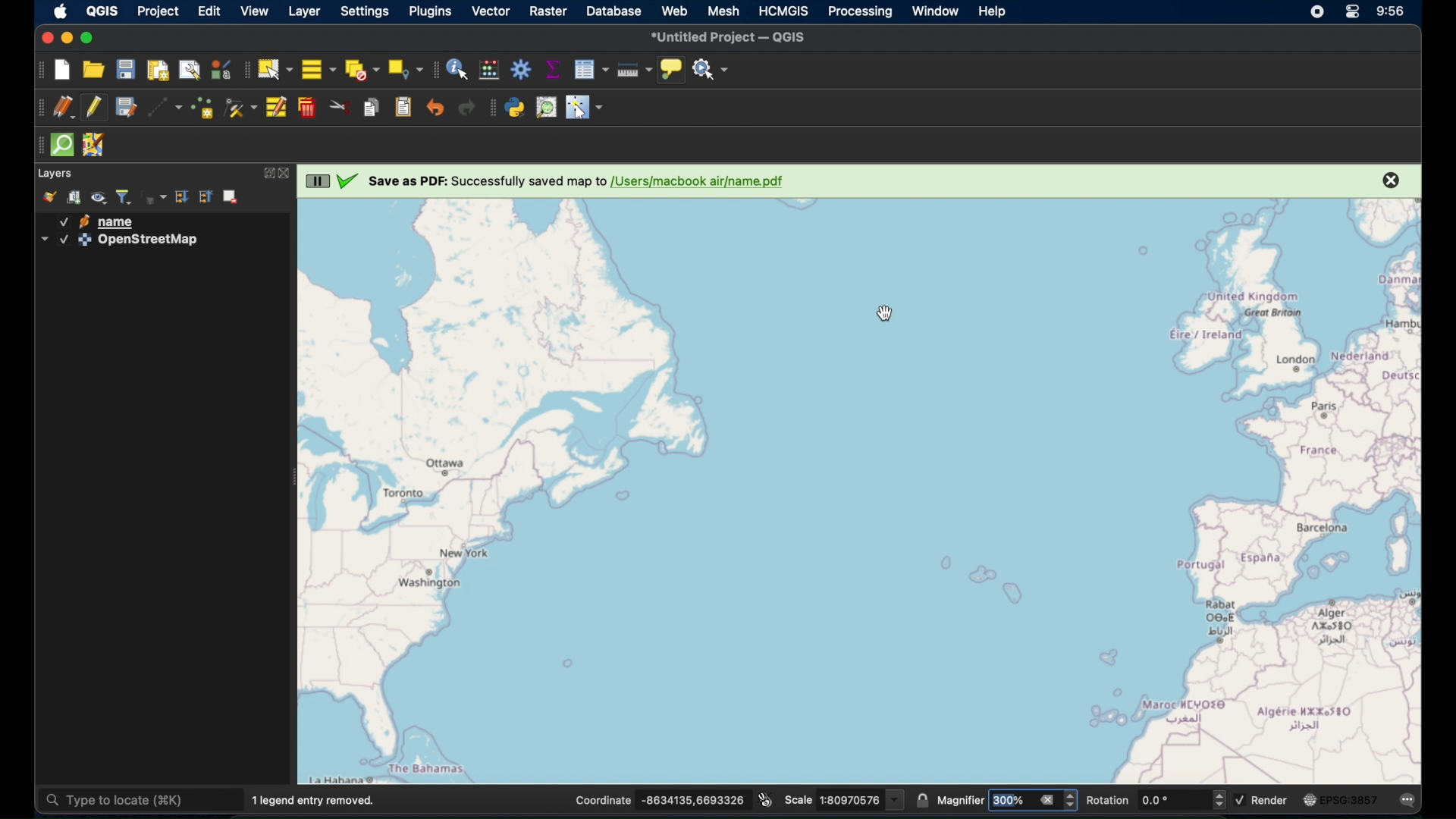 The image size is (1456, 819). I want to click on open layer styling panel, so click(49, 197).